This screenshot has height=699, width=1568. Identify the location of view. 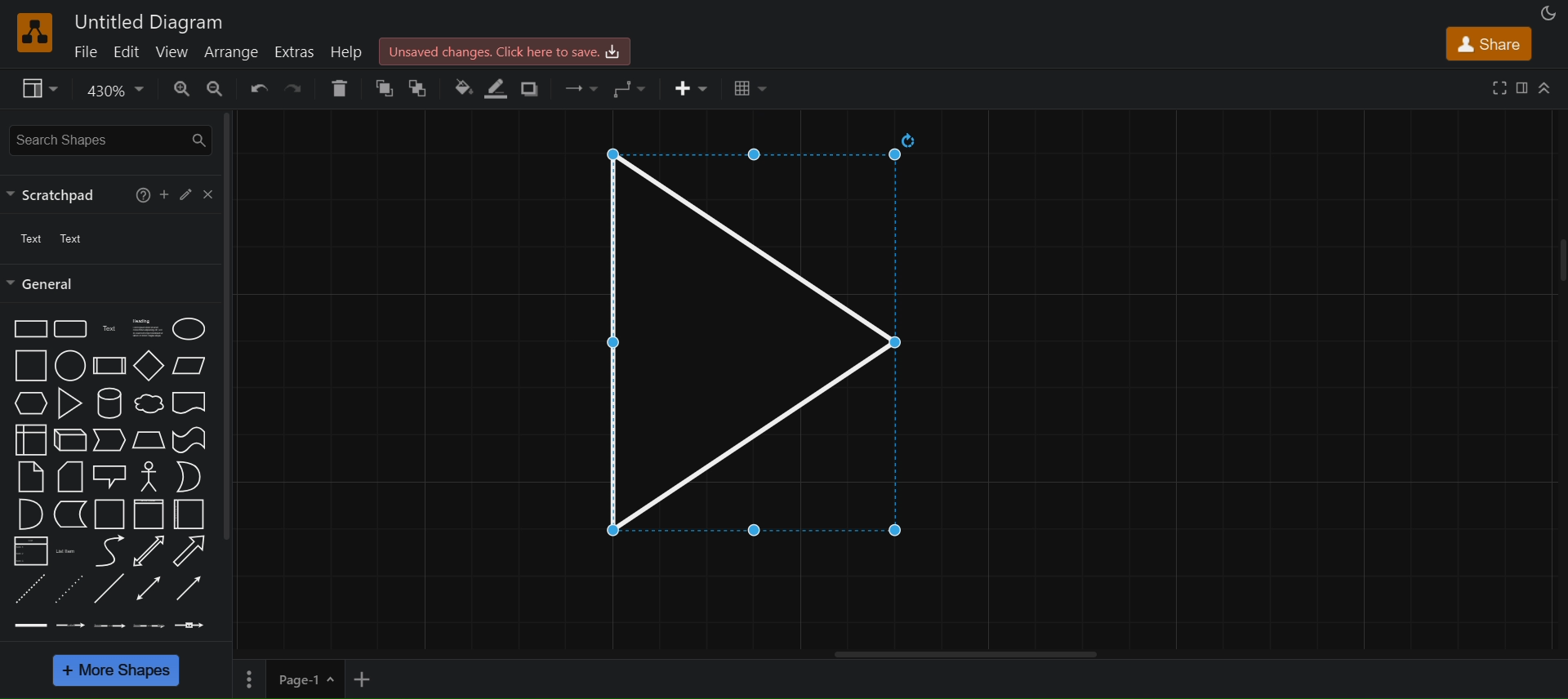
(39, 88).